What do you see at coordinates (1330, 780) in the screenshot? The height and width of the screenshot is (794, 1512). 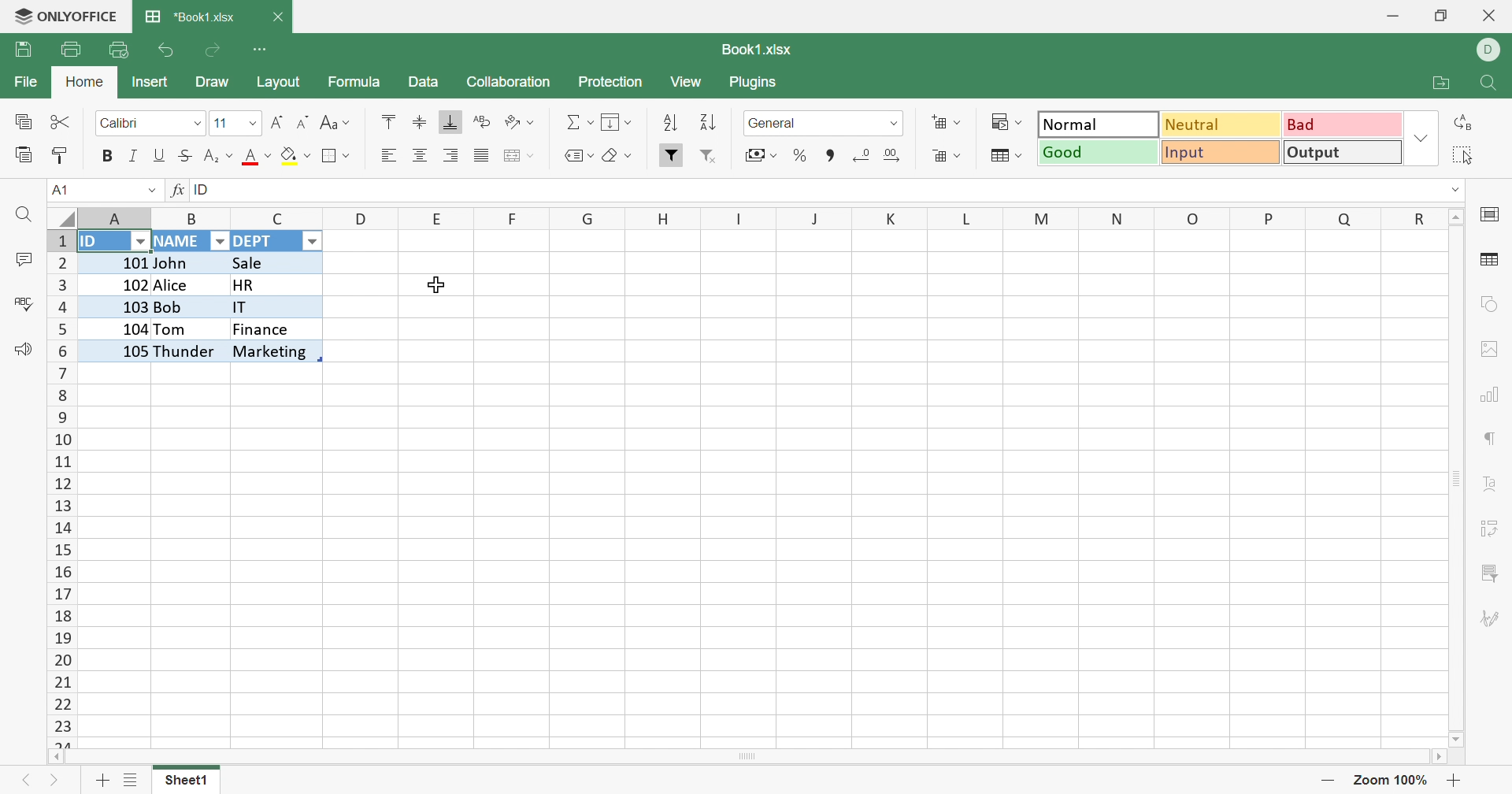 I see `Zoom out` at bounding box center [1330, 780].